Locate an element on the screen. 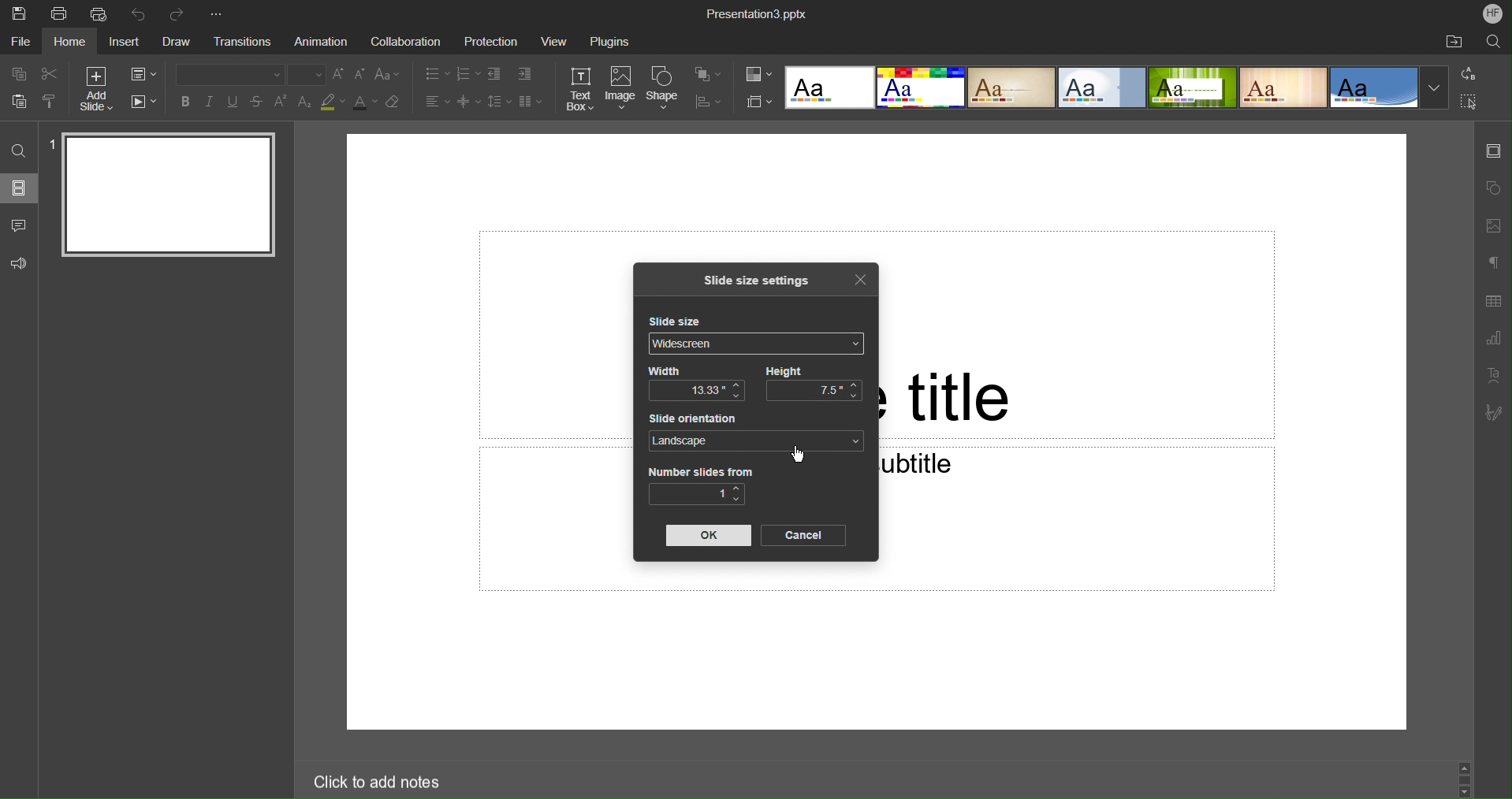  Click to add notes is located at coordinates (370, 779).